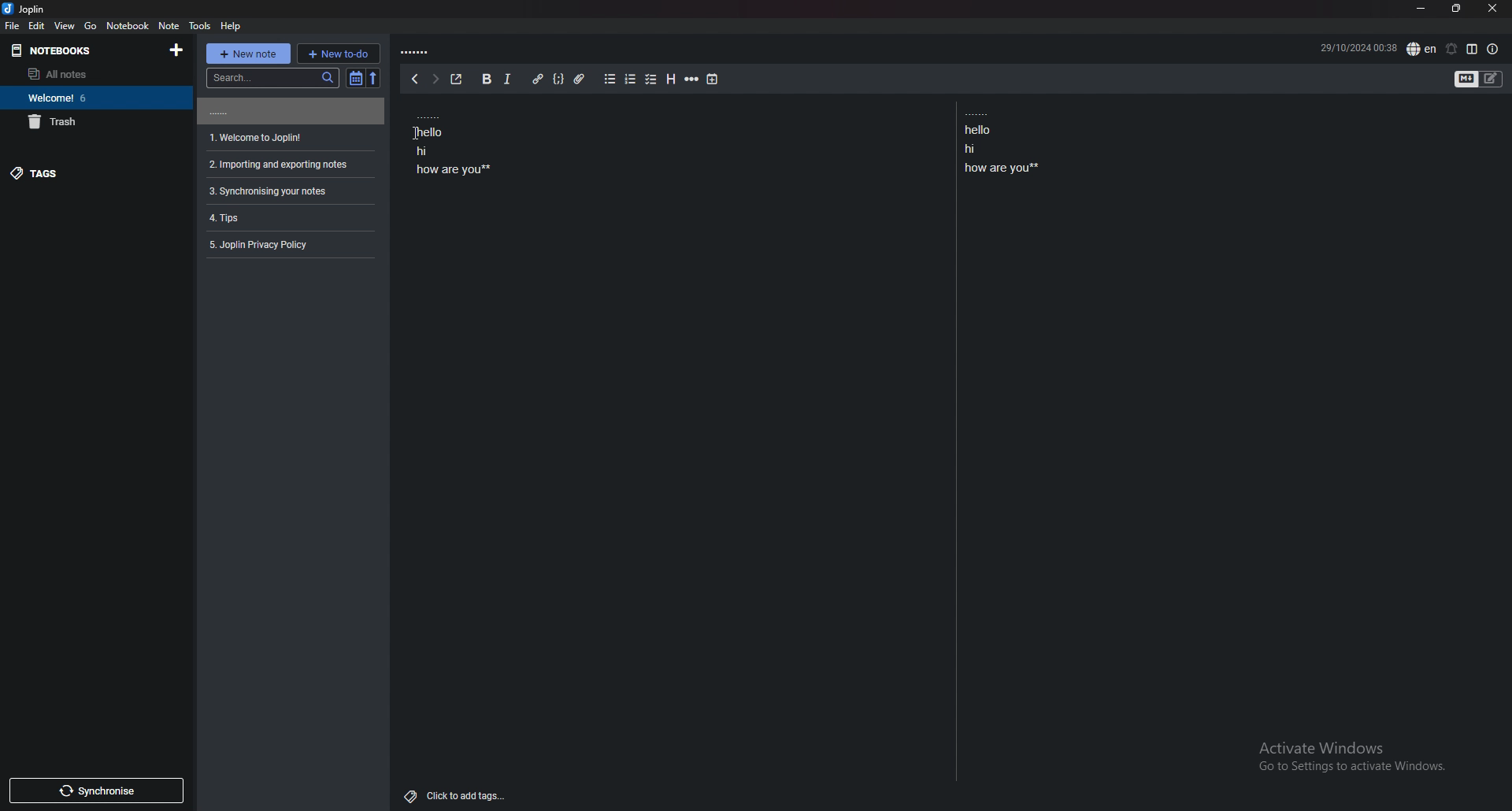  Describe the element at coordinates (170, 26) in the screenshot. I see `note` at that location.